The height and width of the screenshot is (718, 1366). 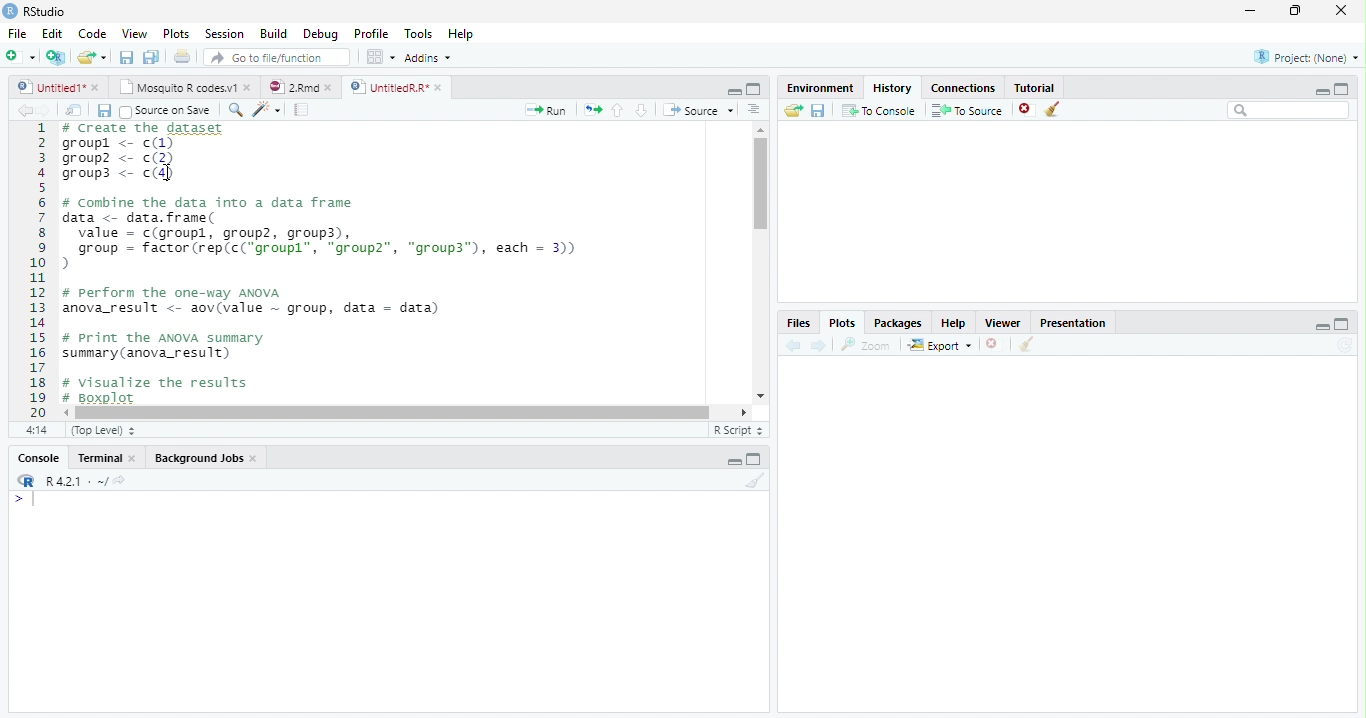 What do you see at coordinates (225, 34) in the screenshot?
I see `Session` at bounding box center [225, 34].